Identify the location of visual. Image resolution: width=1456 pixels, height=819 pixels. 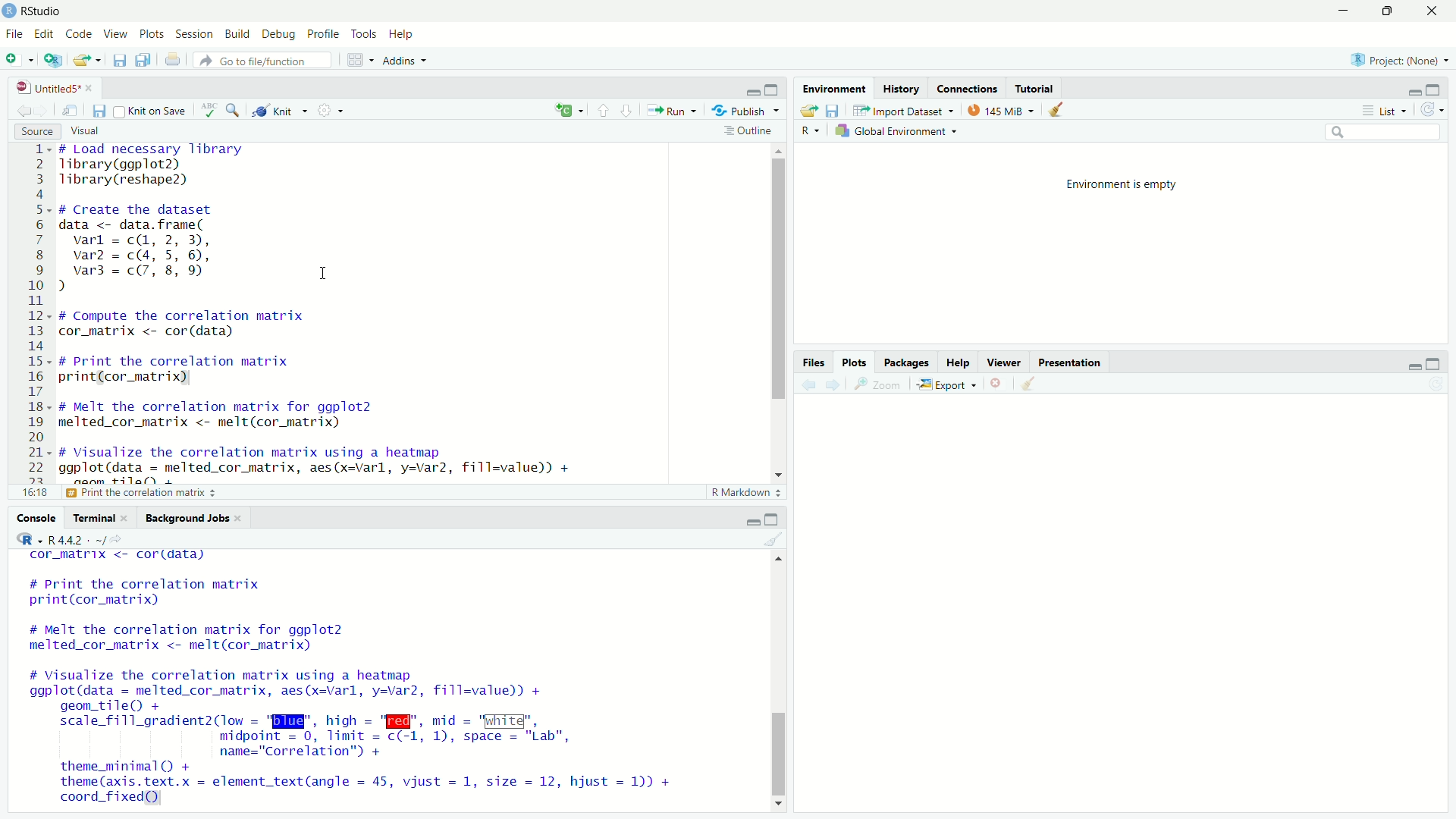
(86, 131).